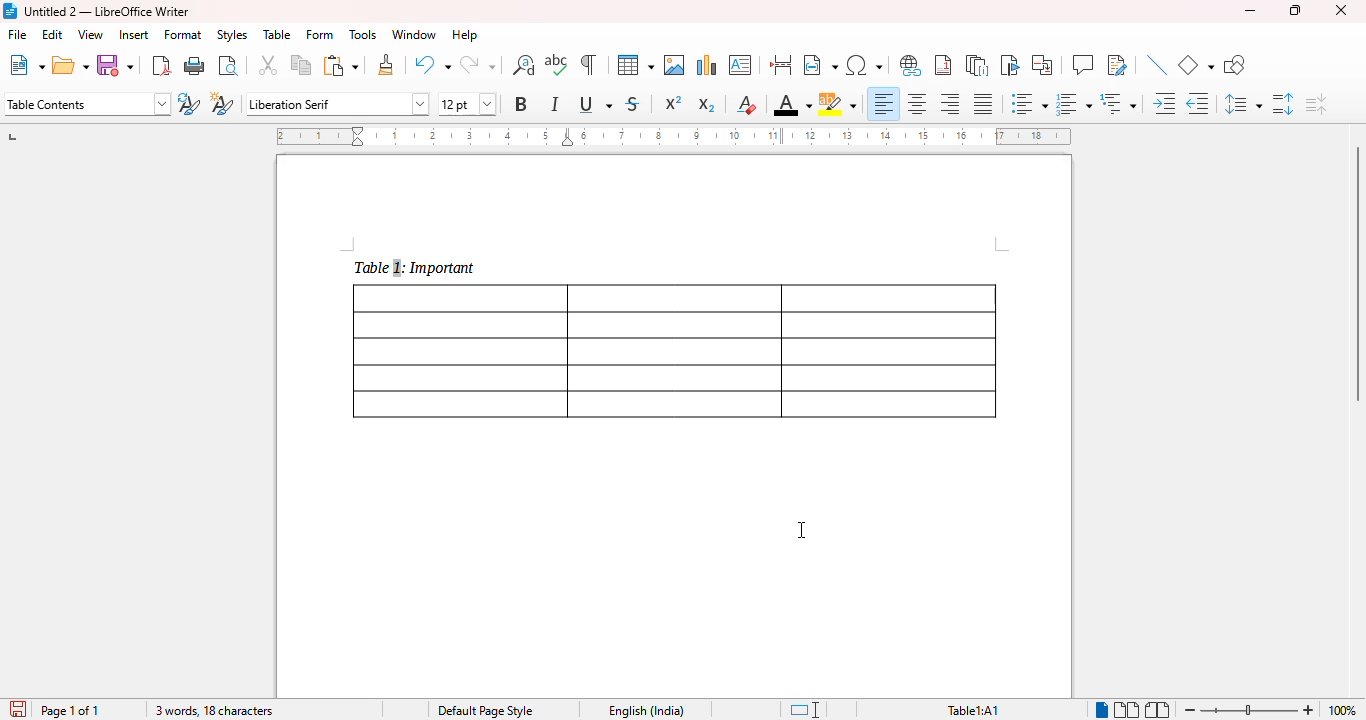 This screenshot has height=720, width=1366. Describe the element at coordinates (780, 64) in the screenshot. I see `insert page break` at that location.